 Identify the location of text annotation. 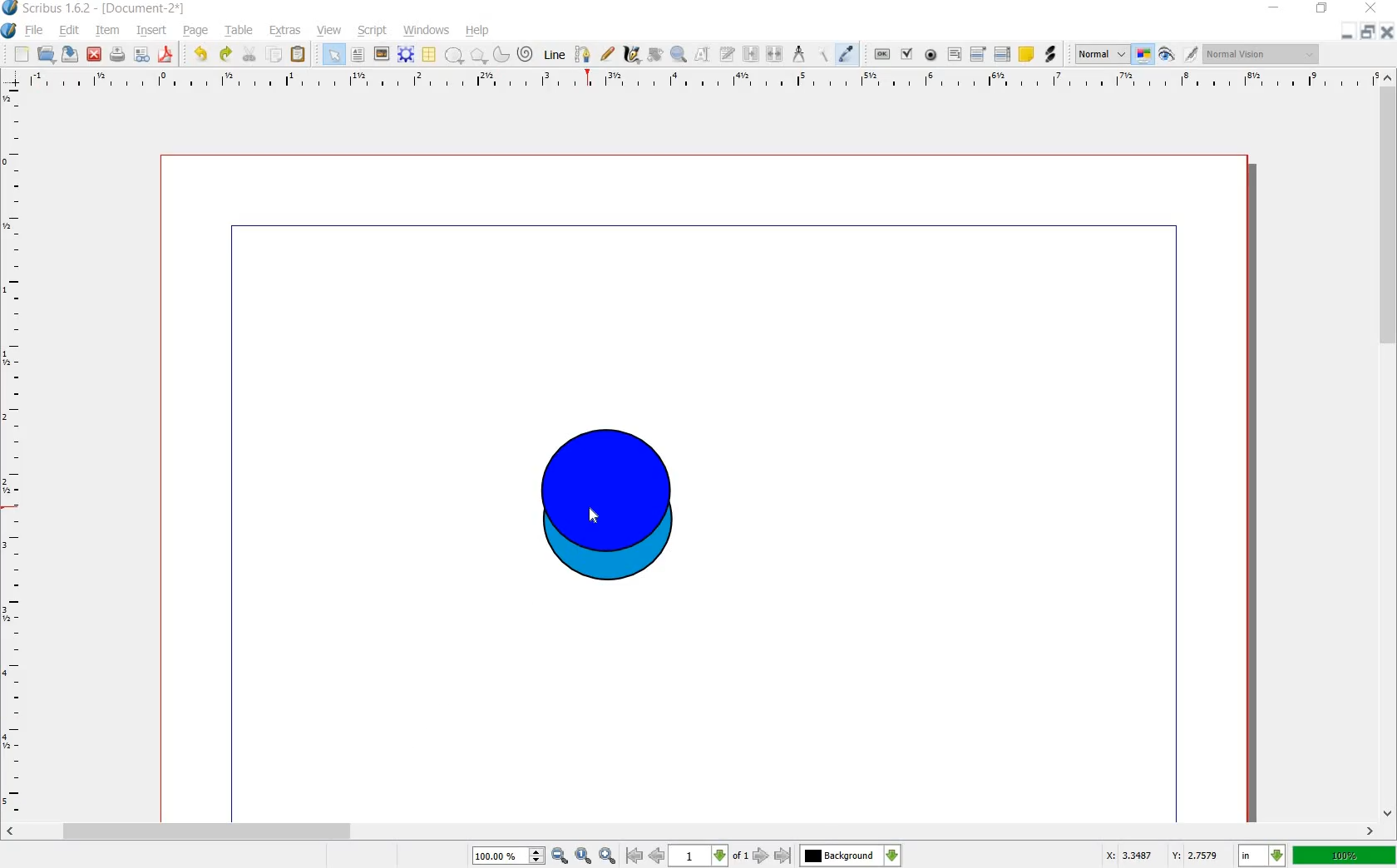
(1028, 55).